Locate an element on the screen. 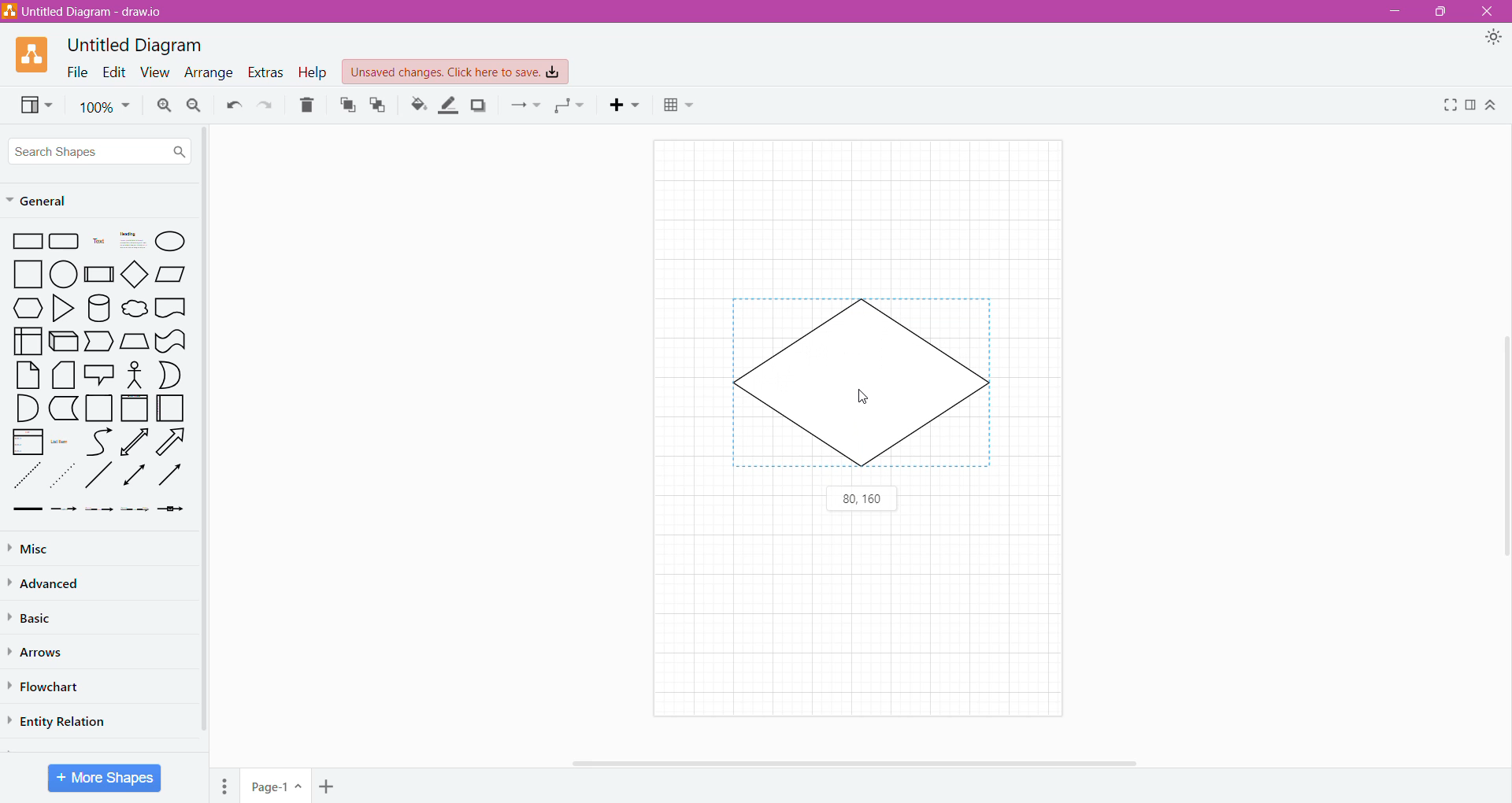  Misc is located at coordinates (31, 549).